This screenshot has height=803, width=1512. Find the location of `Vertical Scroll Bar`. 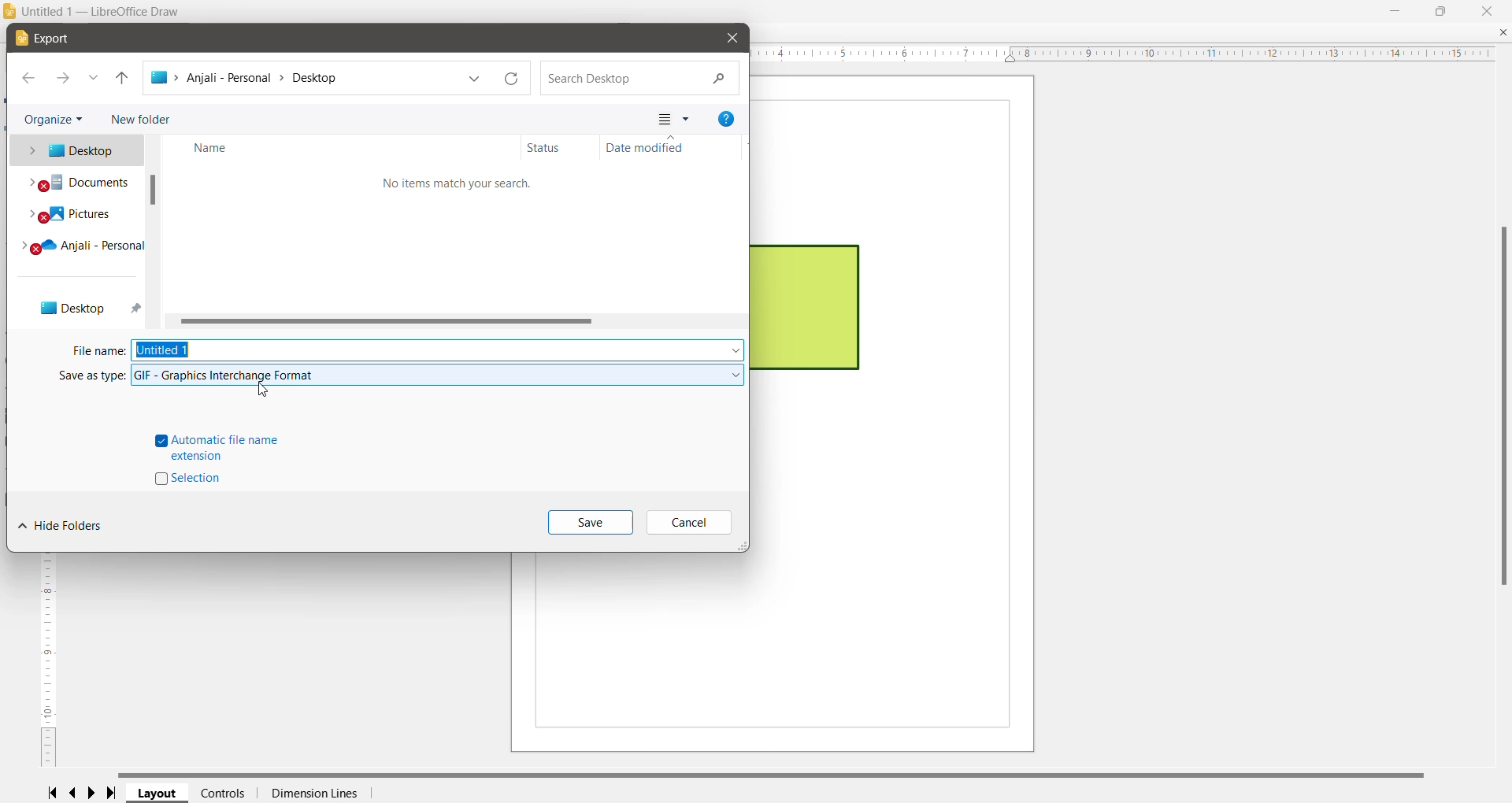

Vertical Scroll Bar is located at coordinates (155, 231).